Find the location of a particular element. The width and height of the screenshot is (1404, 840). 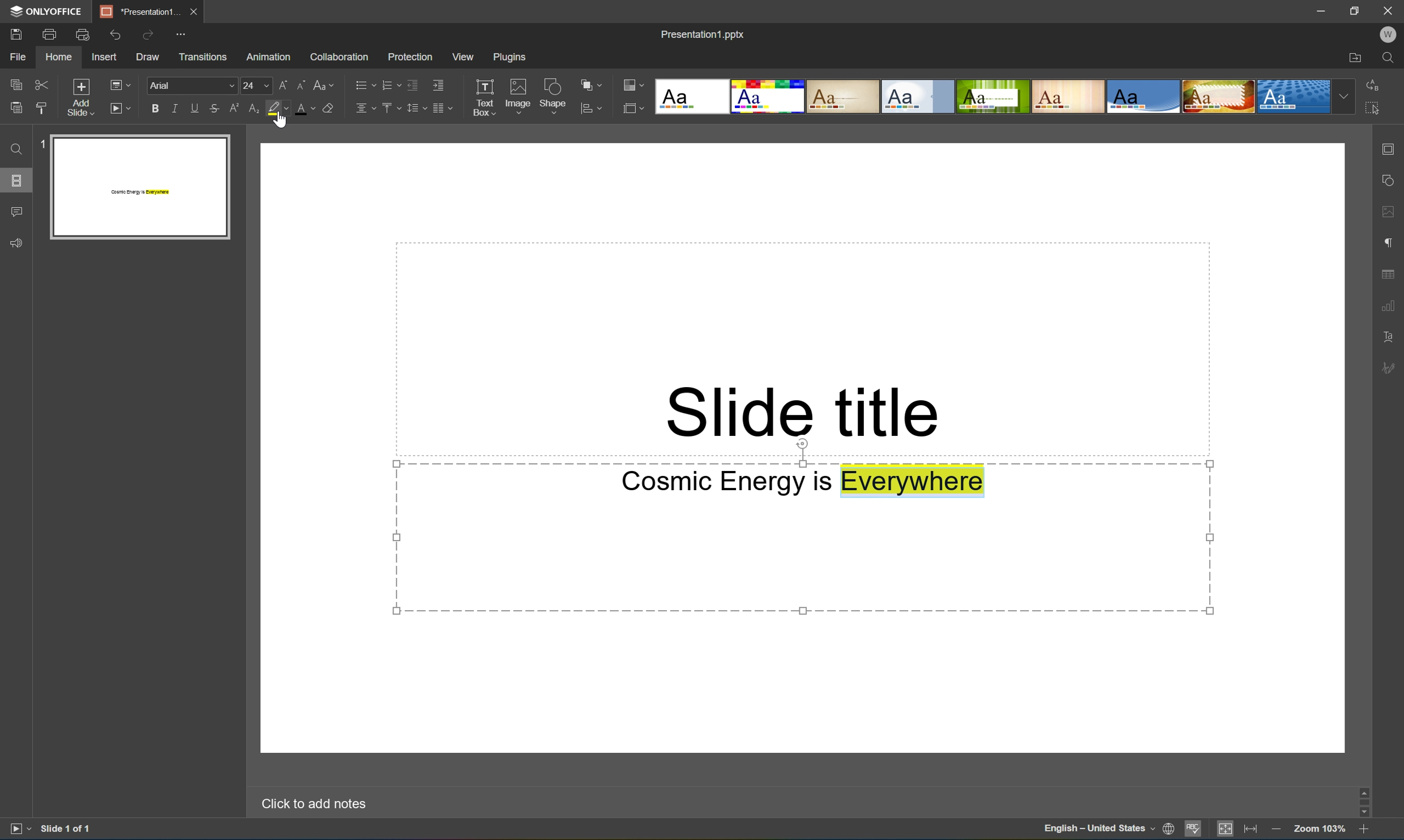

Undo is located at coordinates (116, 33).